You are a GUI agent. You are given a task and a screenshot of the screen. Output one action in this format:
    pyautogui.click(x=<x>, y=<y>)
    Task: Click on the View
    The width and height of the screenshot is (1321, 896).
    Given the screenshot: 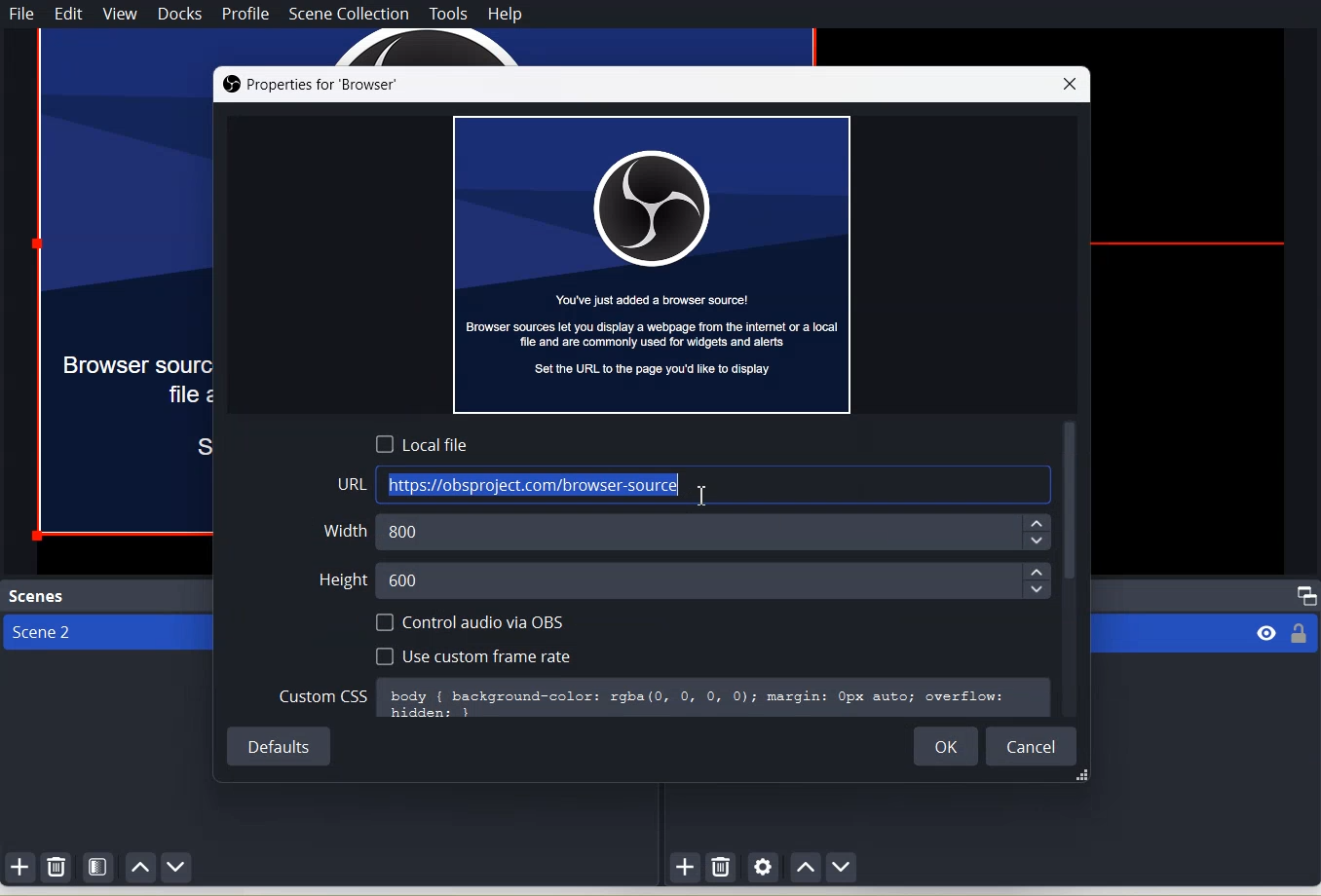 What is the action you would take?
    pyautogui.click(x=120, y=14)
    